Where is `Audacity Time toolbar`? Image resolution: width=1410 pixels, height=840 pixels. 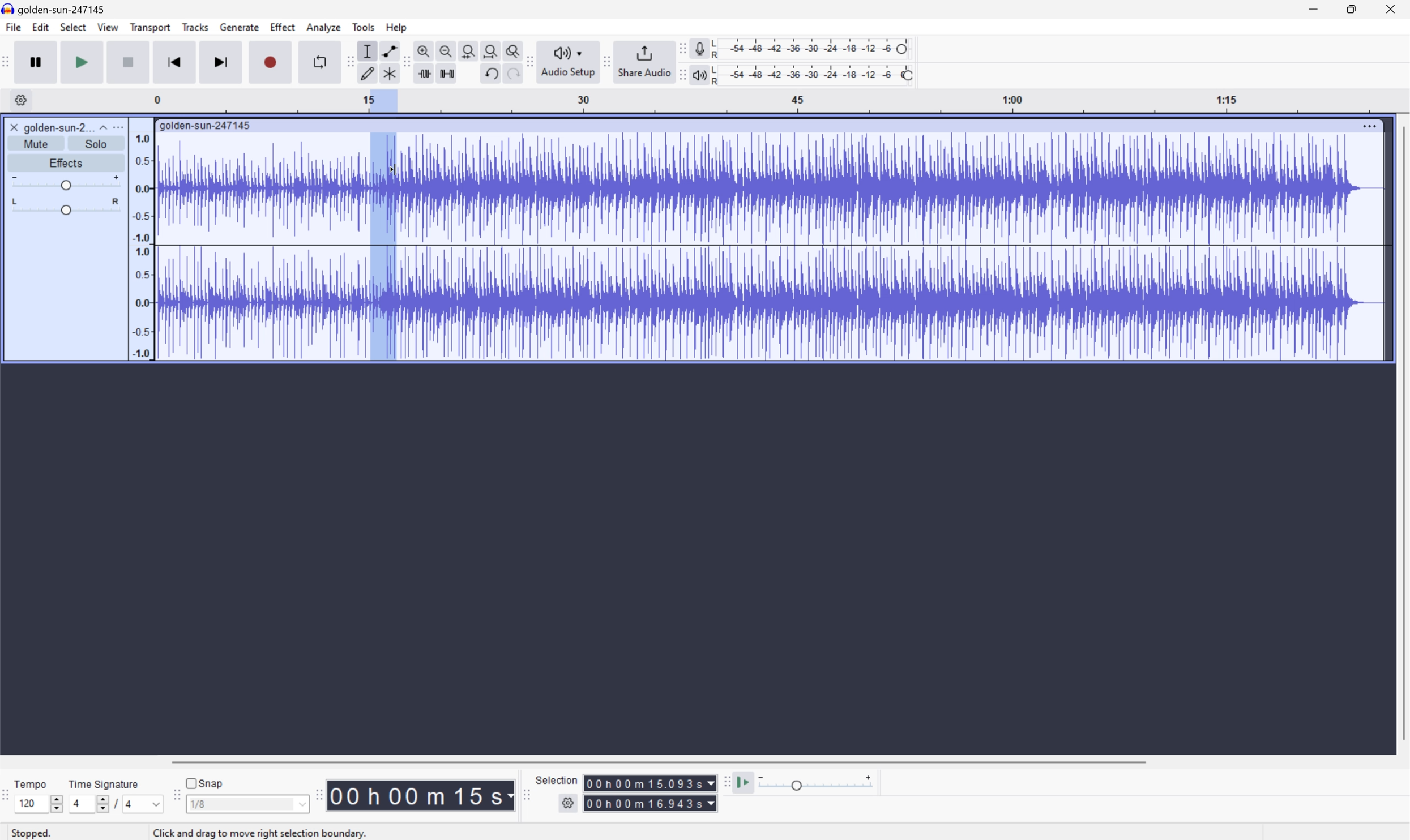 Audacity Time toolbar is located at coordinates (315, 792).